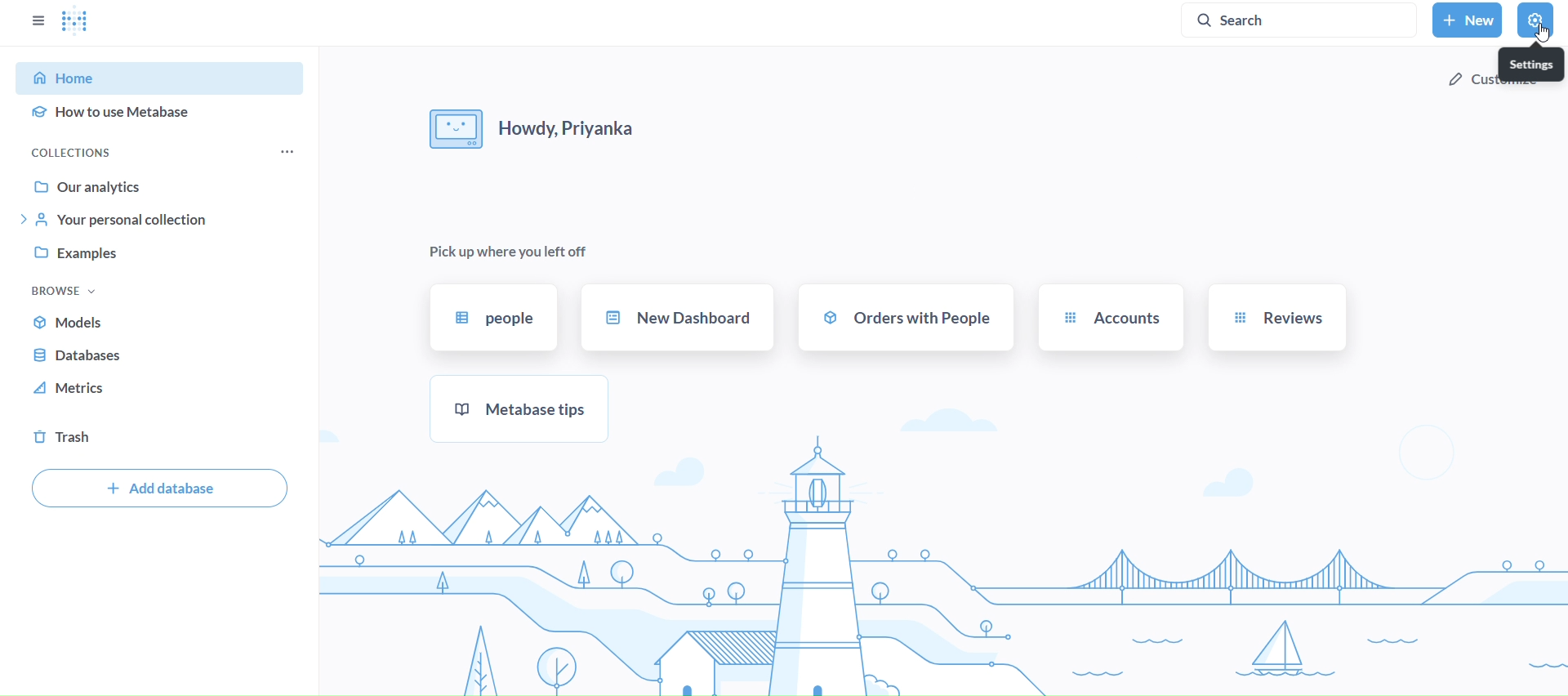 This screenshot has width=1568, height=696. What do you see at coordinates (1110, 315) in the screenshot?
I see `accounts` at bounding box center [1110, 315].